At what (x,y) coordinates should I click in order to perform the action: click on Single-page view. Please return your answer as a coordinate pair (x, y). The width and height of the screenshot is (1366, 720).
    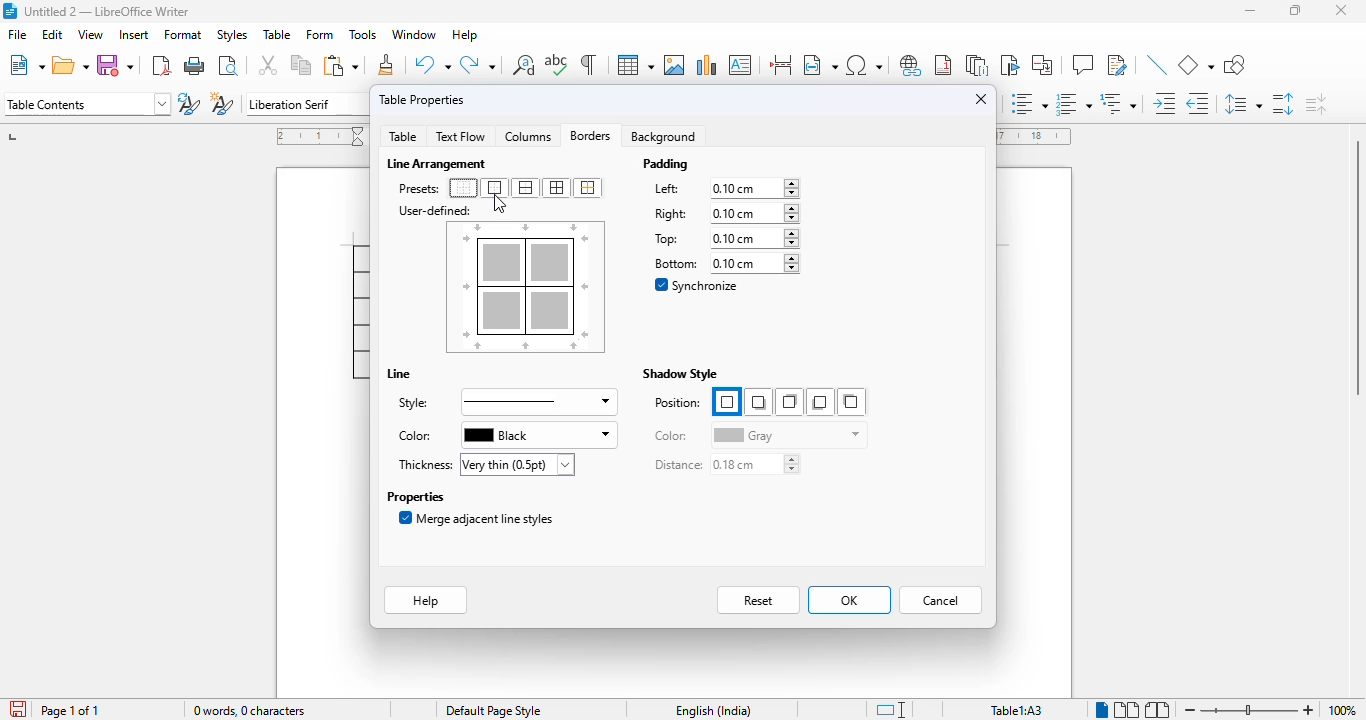
    Looking at the image, I should click on (1102, 710).